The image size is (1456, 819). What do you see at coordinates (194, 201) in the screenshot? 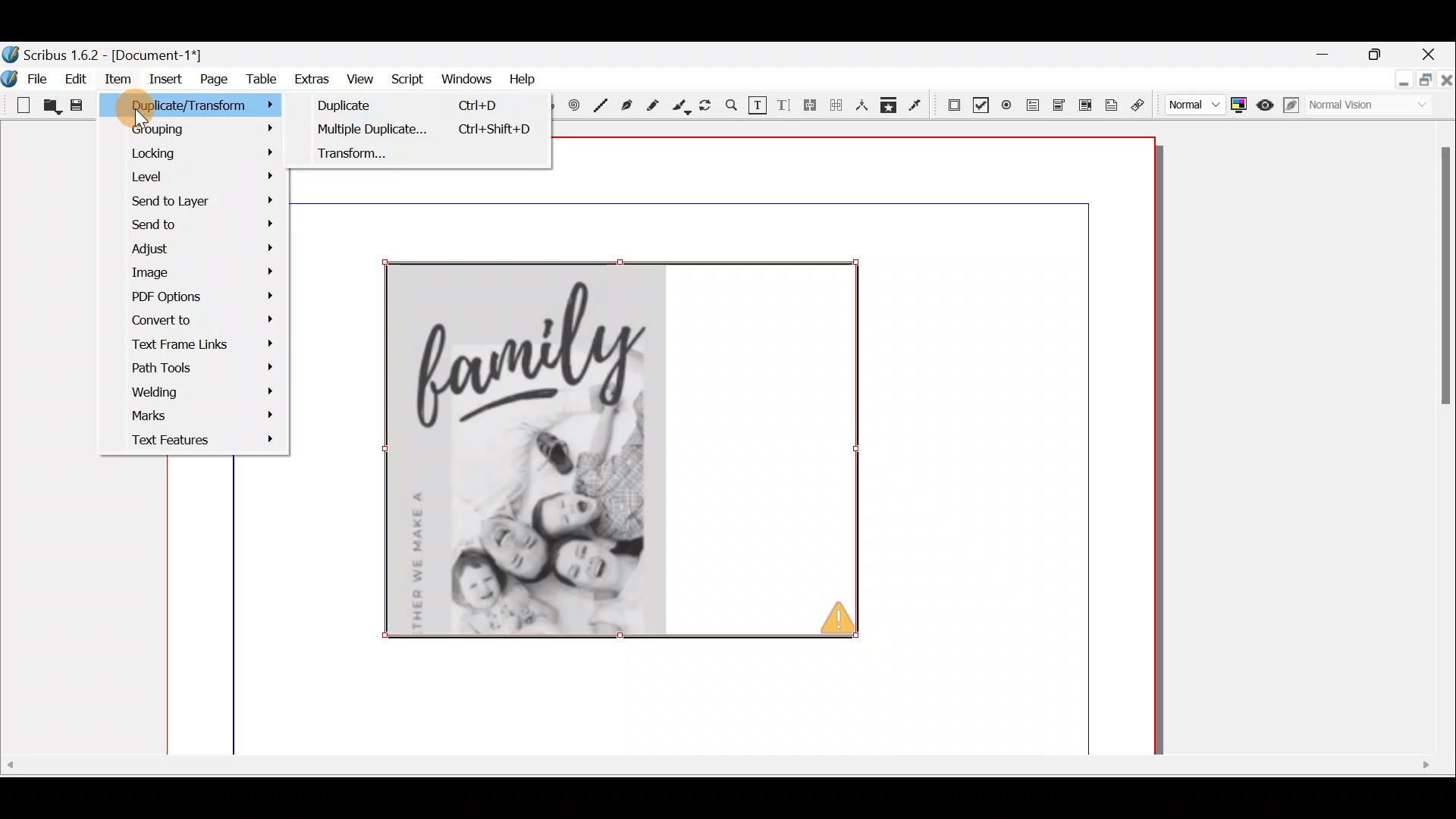
I see `Send to layer` at bounding box center [194, 201].